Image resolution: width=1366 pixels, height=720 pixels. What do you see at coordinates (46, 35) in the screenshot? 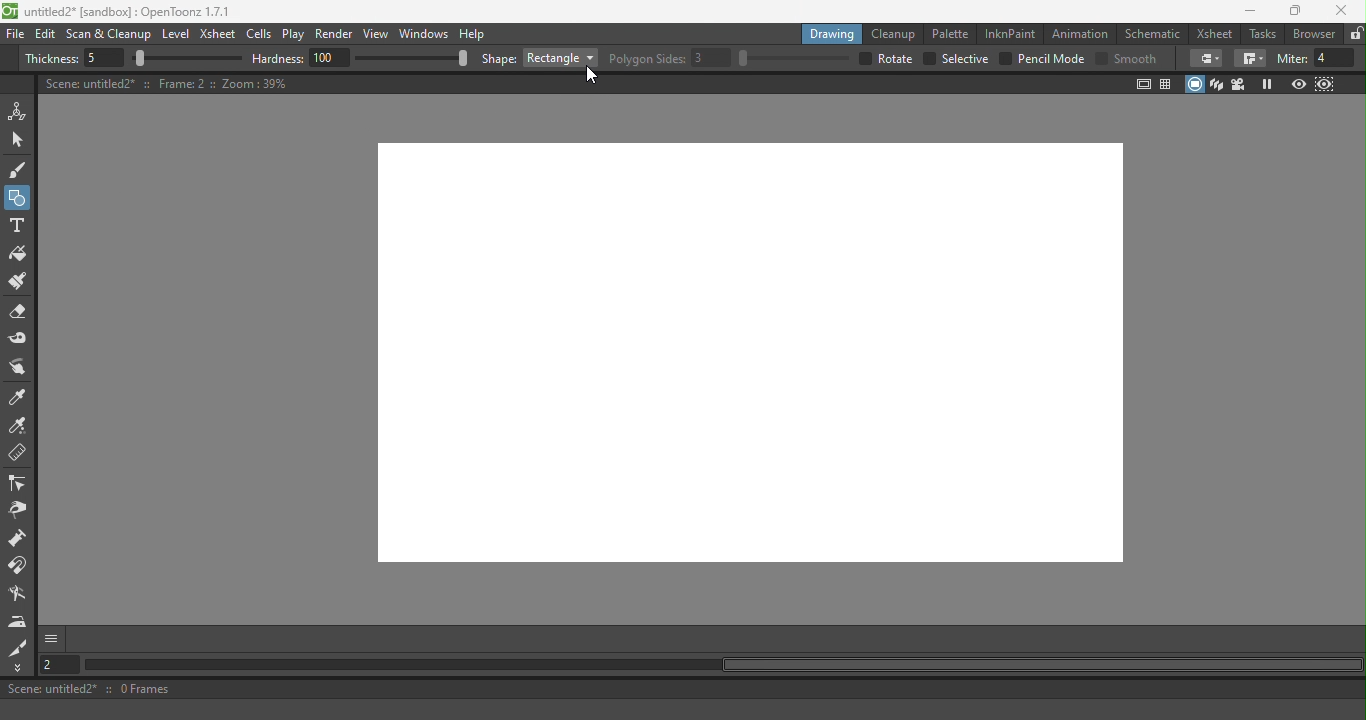
I see `Edit` at bounding box center [46, 35].